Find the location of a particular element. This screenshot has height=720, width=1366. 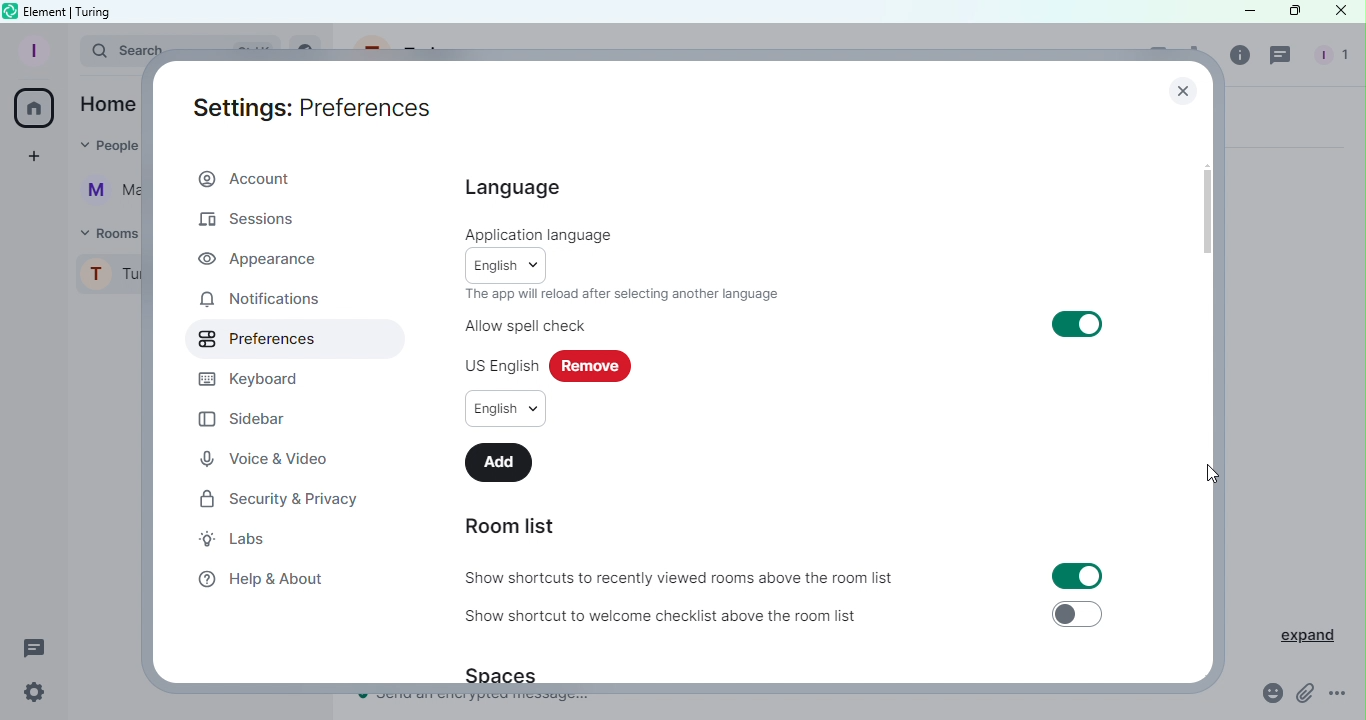

Prefrences is located at coordinates (251, 340).